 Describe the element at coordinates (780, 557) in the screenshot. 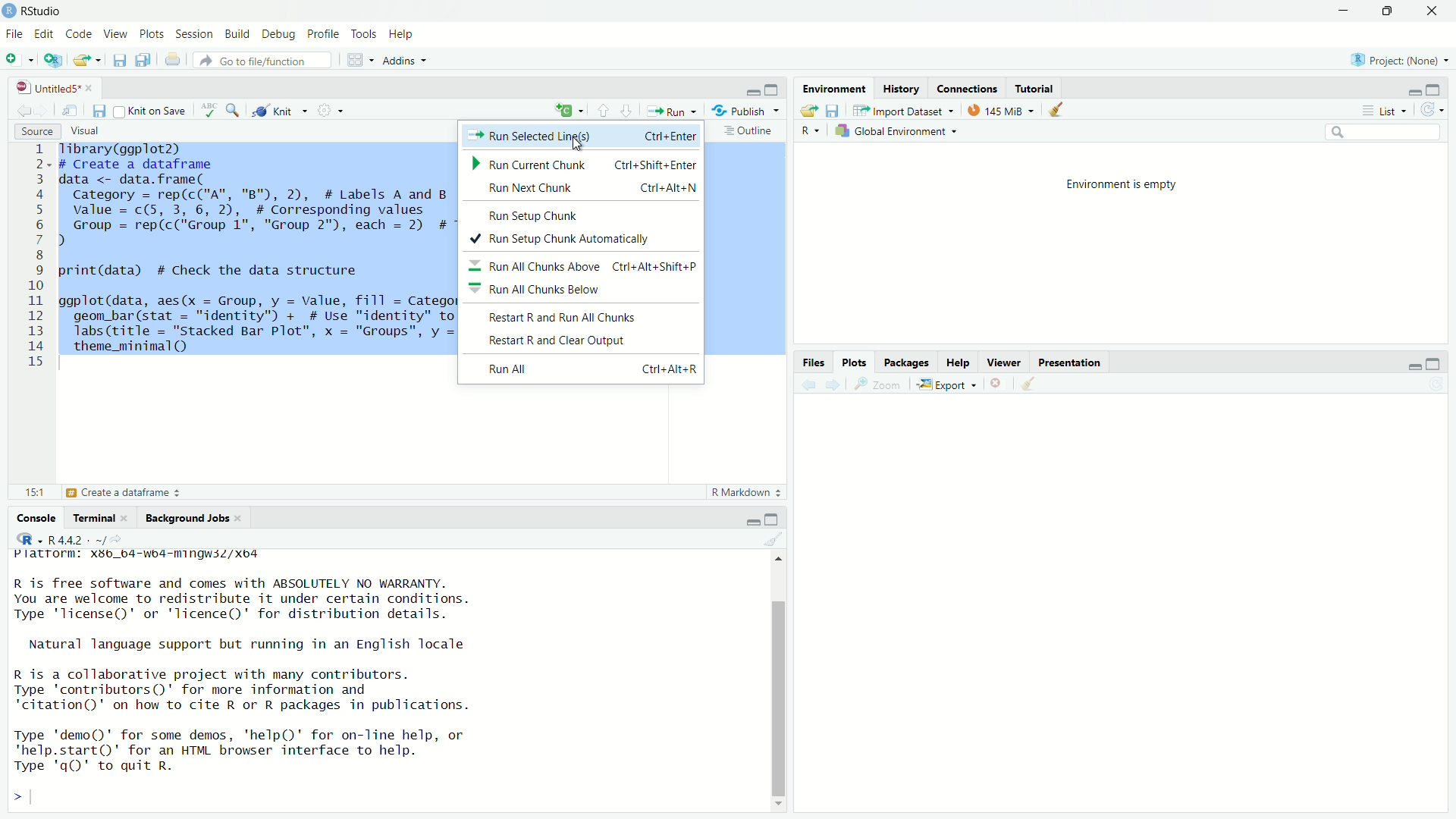

I see `Up` at that location.